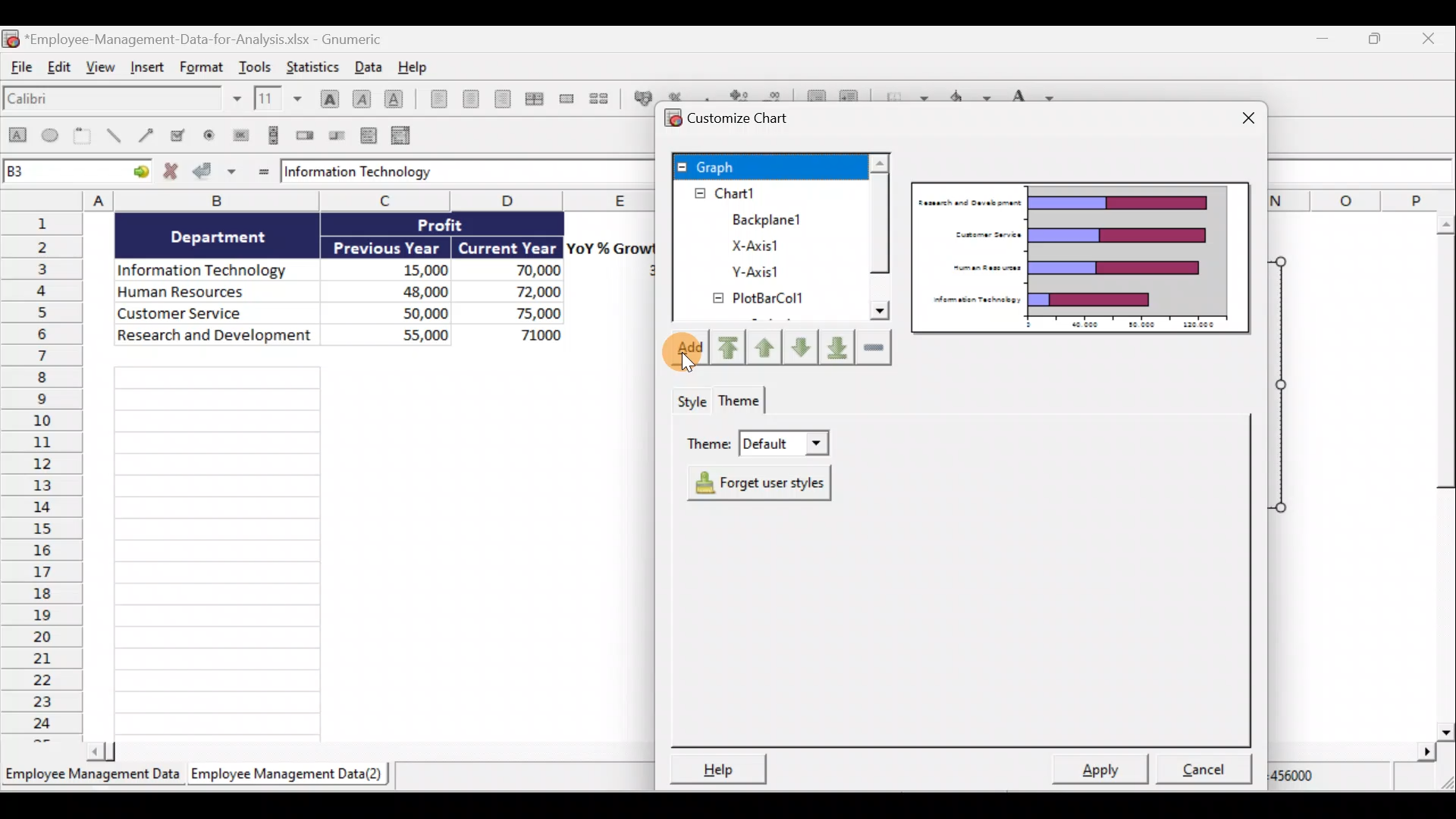  Describe the element at coordinates (522, 271) in the screenshot. I see `70,000` at that location.